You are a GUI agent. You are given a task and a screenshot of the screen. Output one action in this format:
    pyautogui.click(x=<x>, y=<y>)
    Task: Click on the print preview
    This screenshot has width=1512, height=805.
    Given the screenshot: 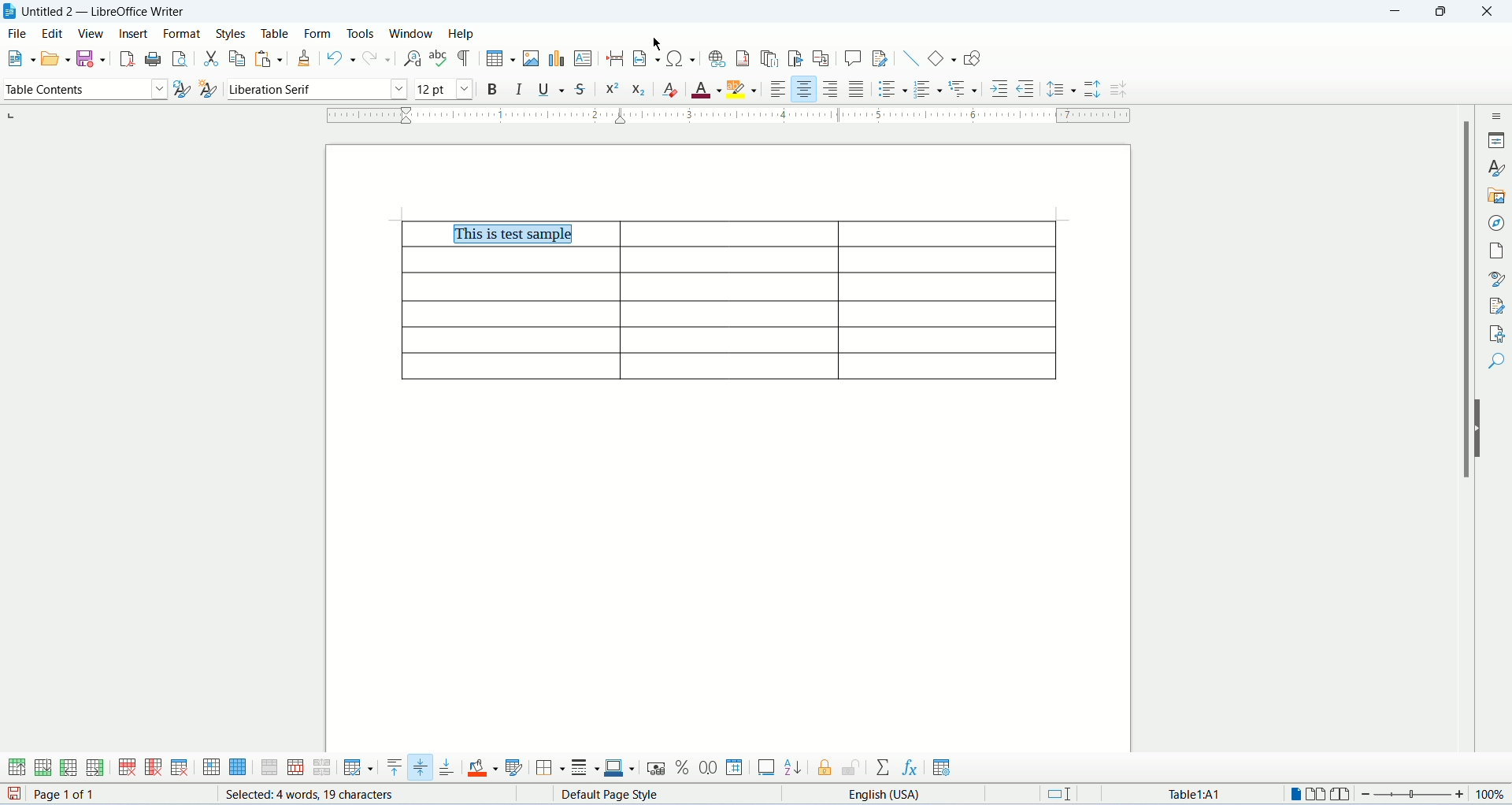 What is the action you would take?
    pyautogui.click(x=180, y=58)
    